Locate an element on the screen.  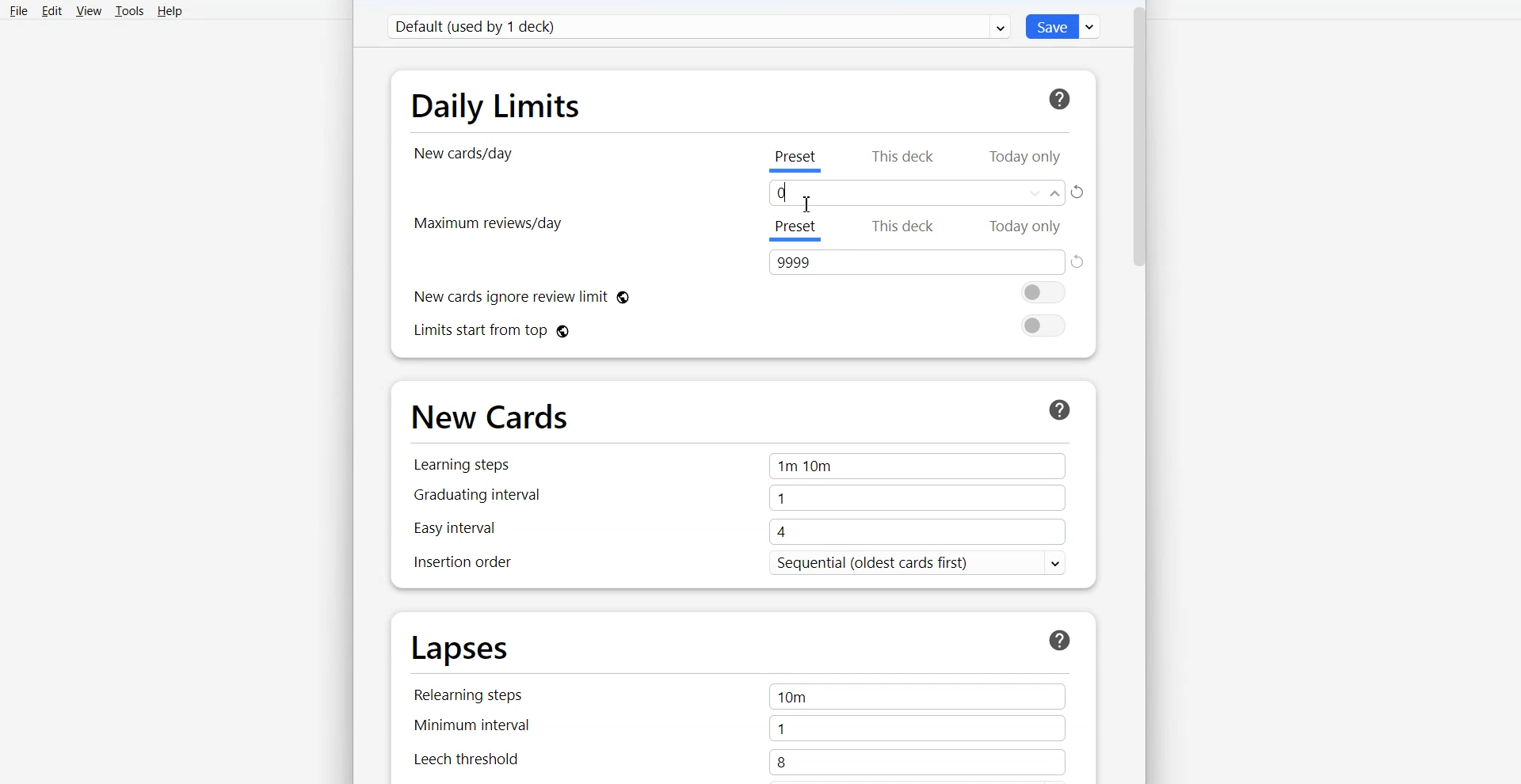
Default  is located at coordinates (698, 26).